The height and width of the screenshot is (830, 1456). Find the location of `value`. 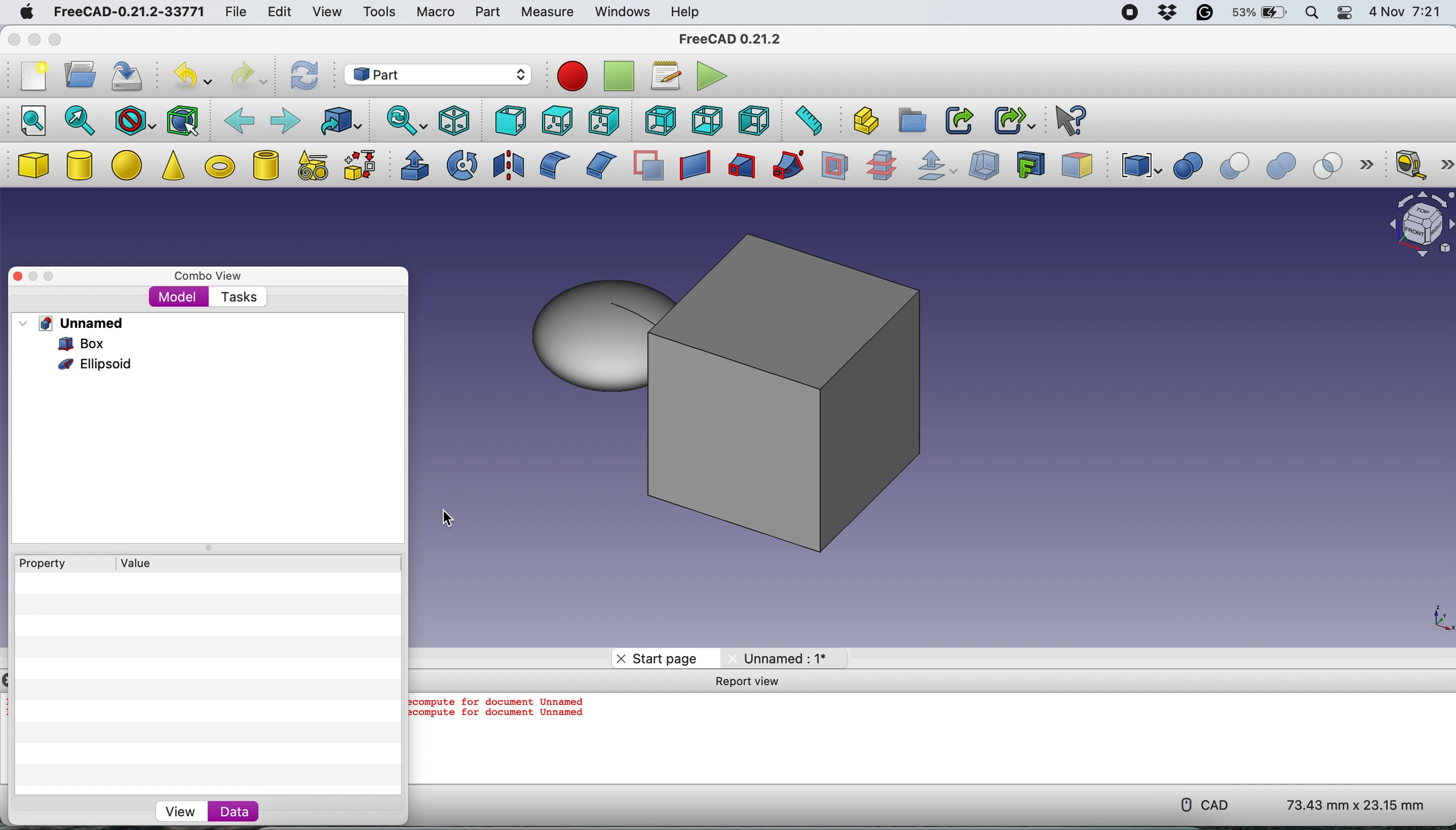

value is located at coordinates (134, 563).